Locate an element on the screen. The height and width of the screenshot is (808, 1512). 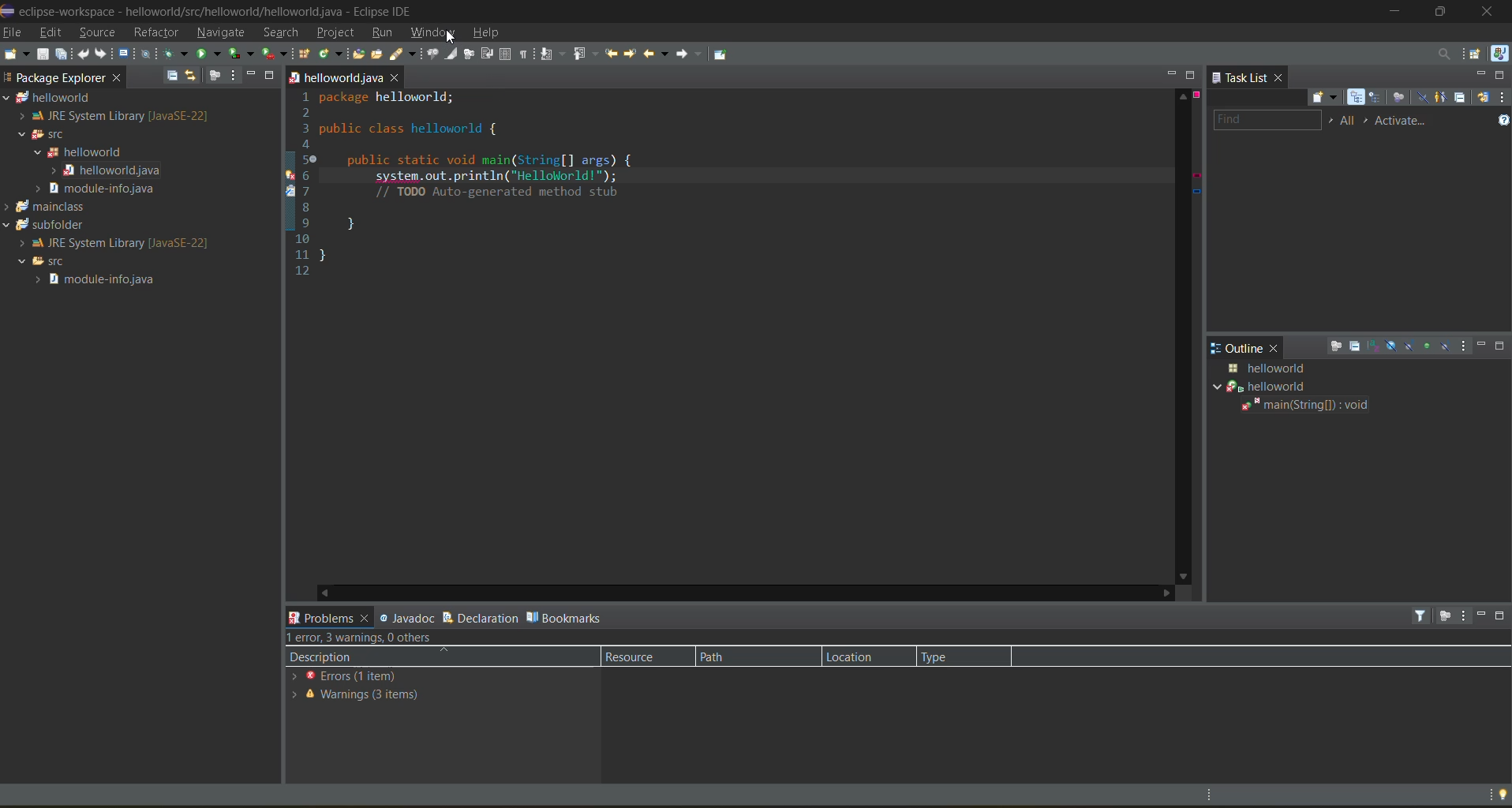
run is located at coordinates (210, 54).